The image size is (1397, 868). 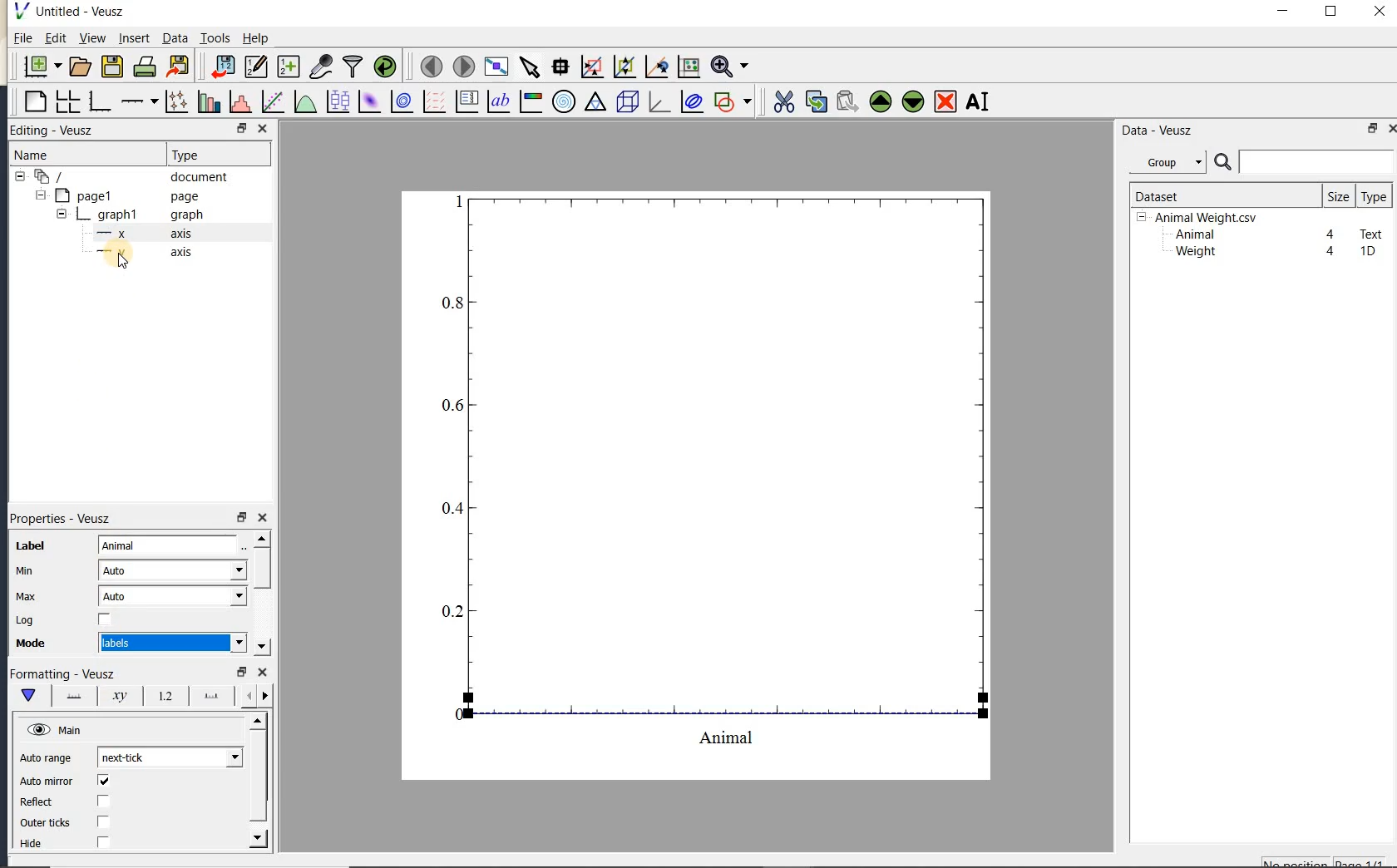 I want to click on Data, so click(x=175, y=37).